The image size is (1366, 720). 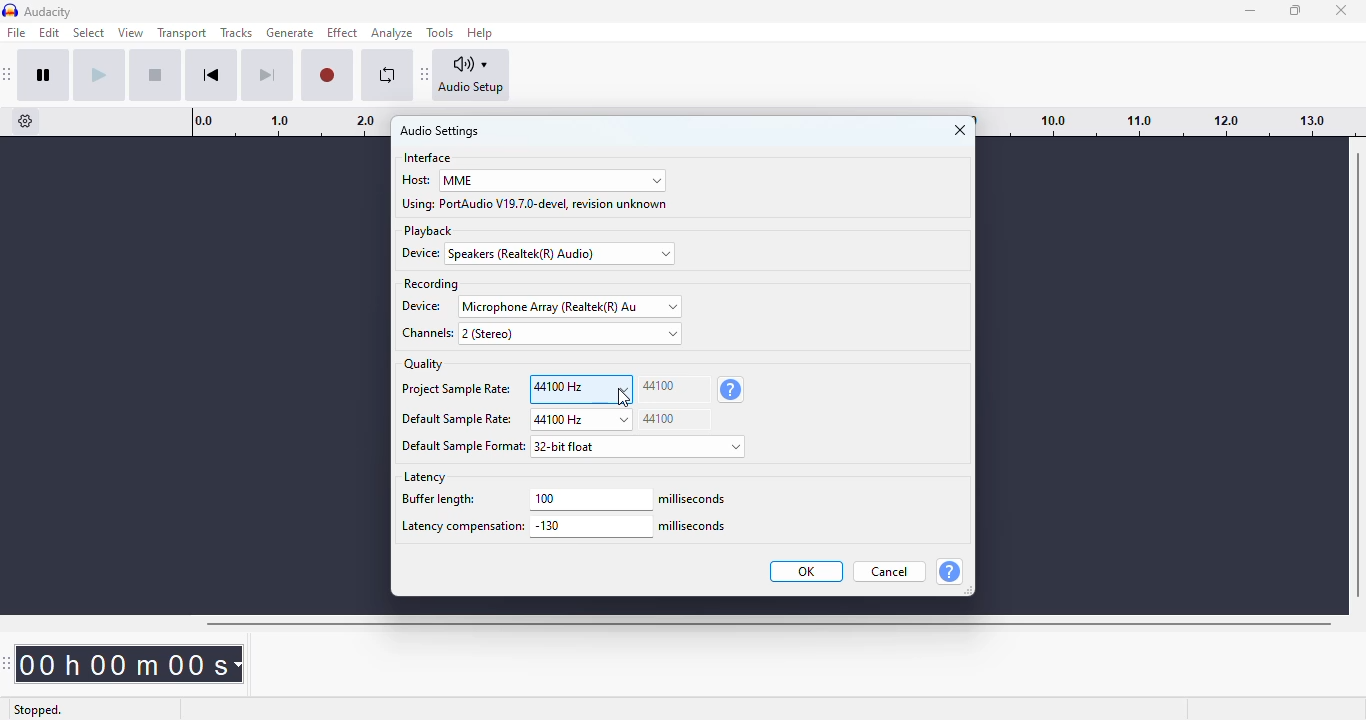 I want to click on help, so click(x=481, y=32).